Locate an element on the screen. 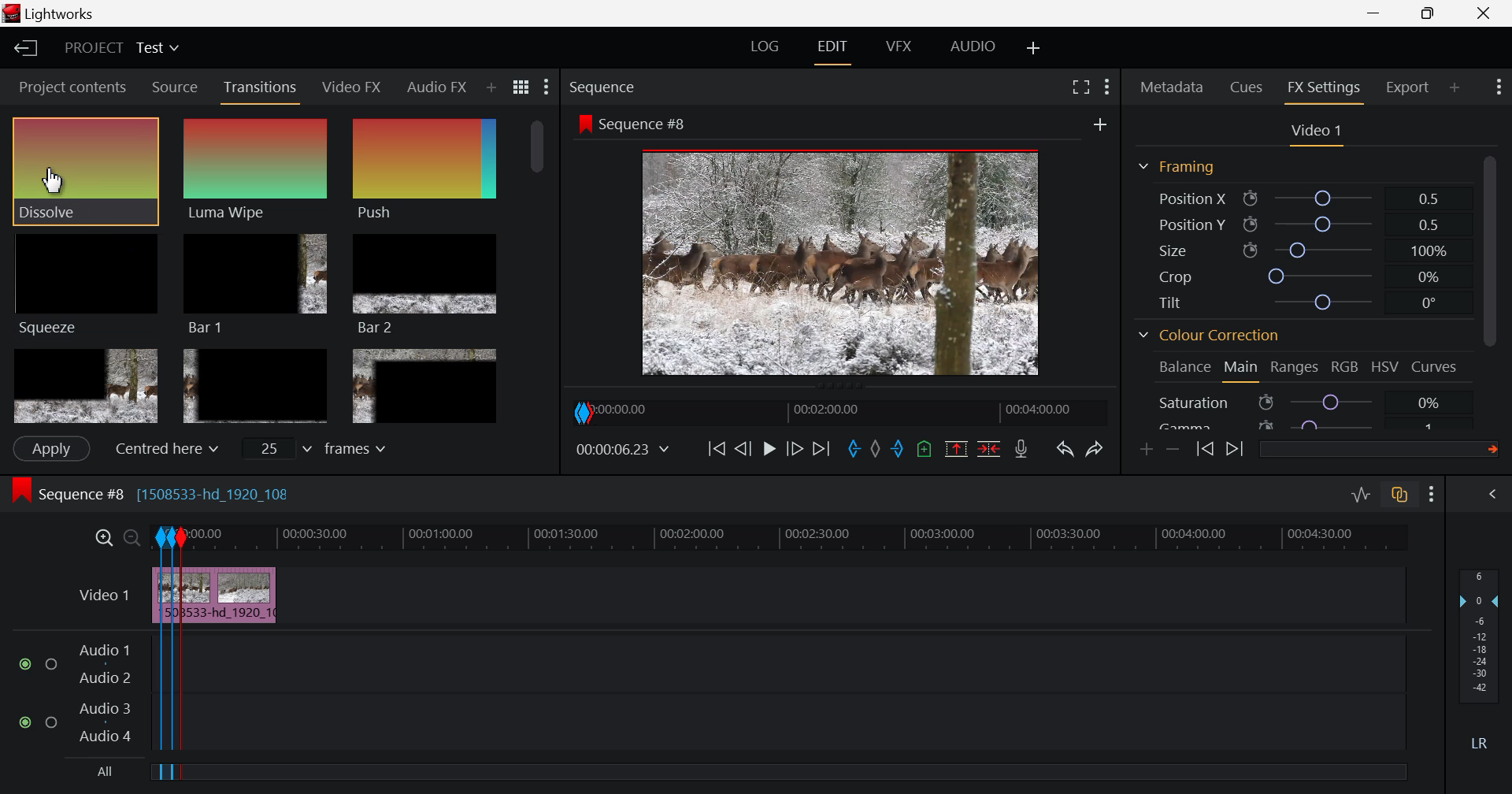 The height and width of the screenshot is (794, 1512). Video Paused is located at coordinates (769, 452).